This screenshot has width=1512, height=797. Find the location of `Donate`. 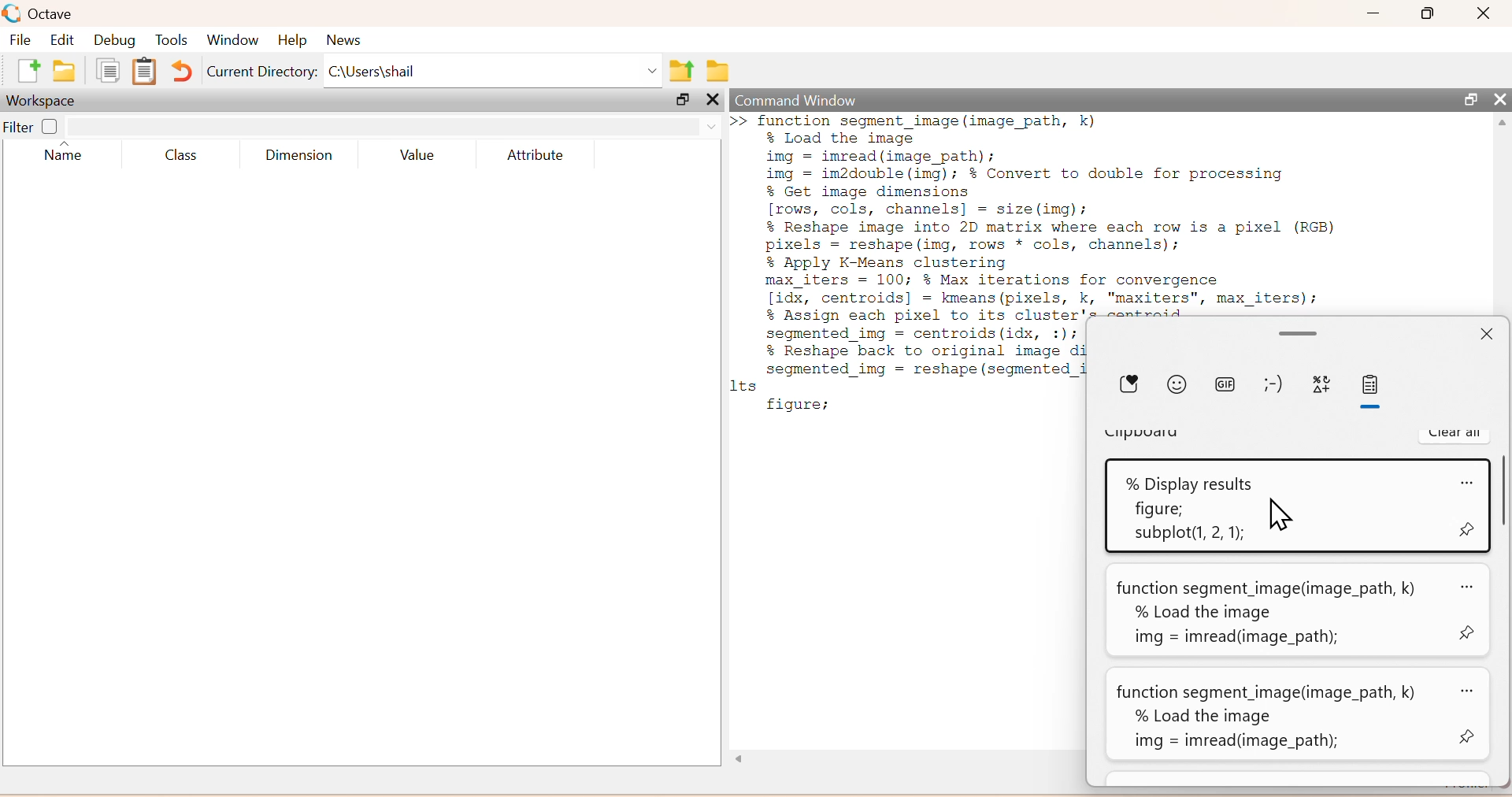

Donate is located at coordinates (1128, 384).